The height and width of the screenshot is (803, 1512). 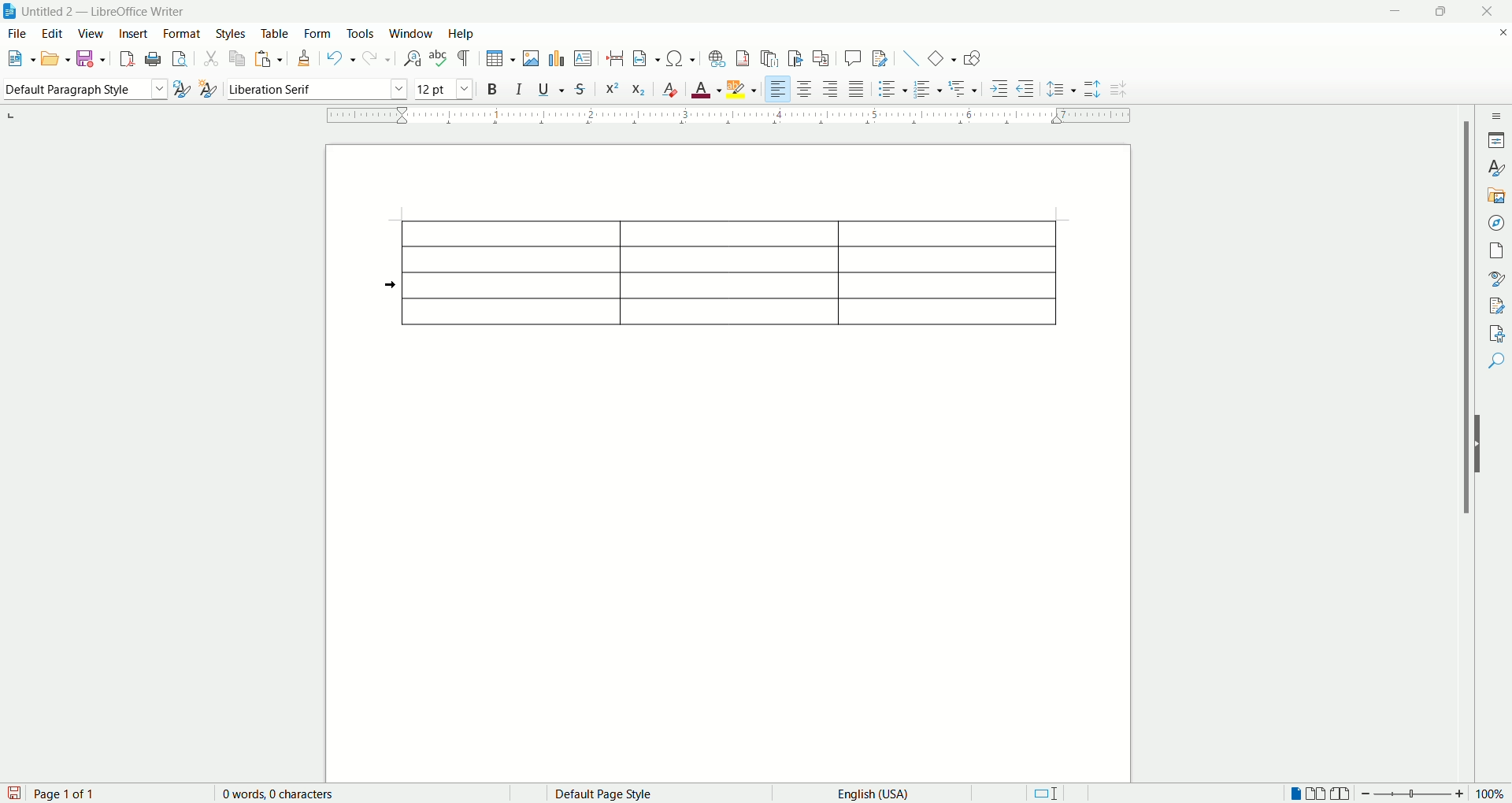 What do you see at coordinates (779, 87) in the screenshot?
I see `align left` at bounding box center [779, 87].